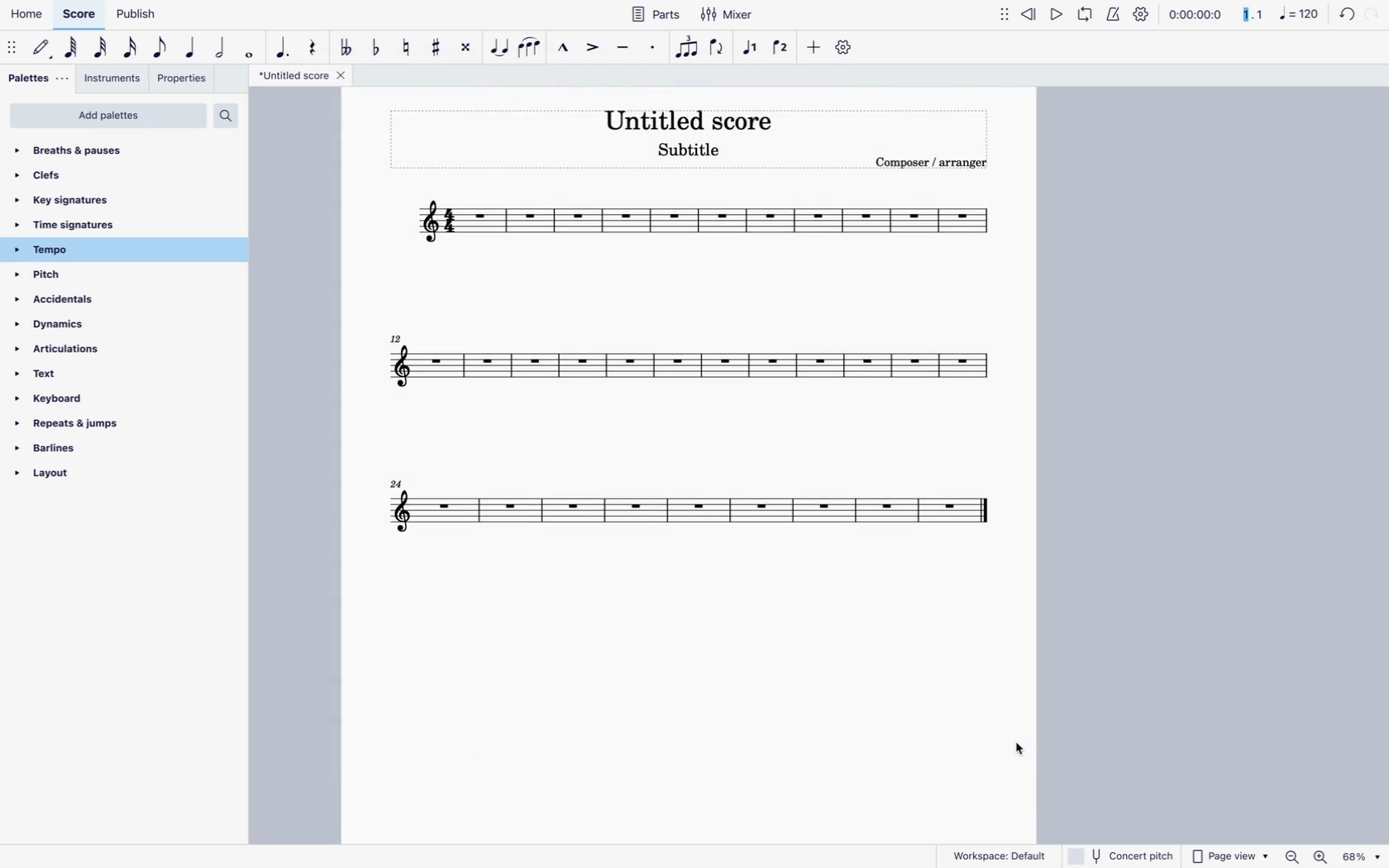  I want to click on layout, so click(79, 478).